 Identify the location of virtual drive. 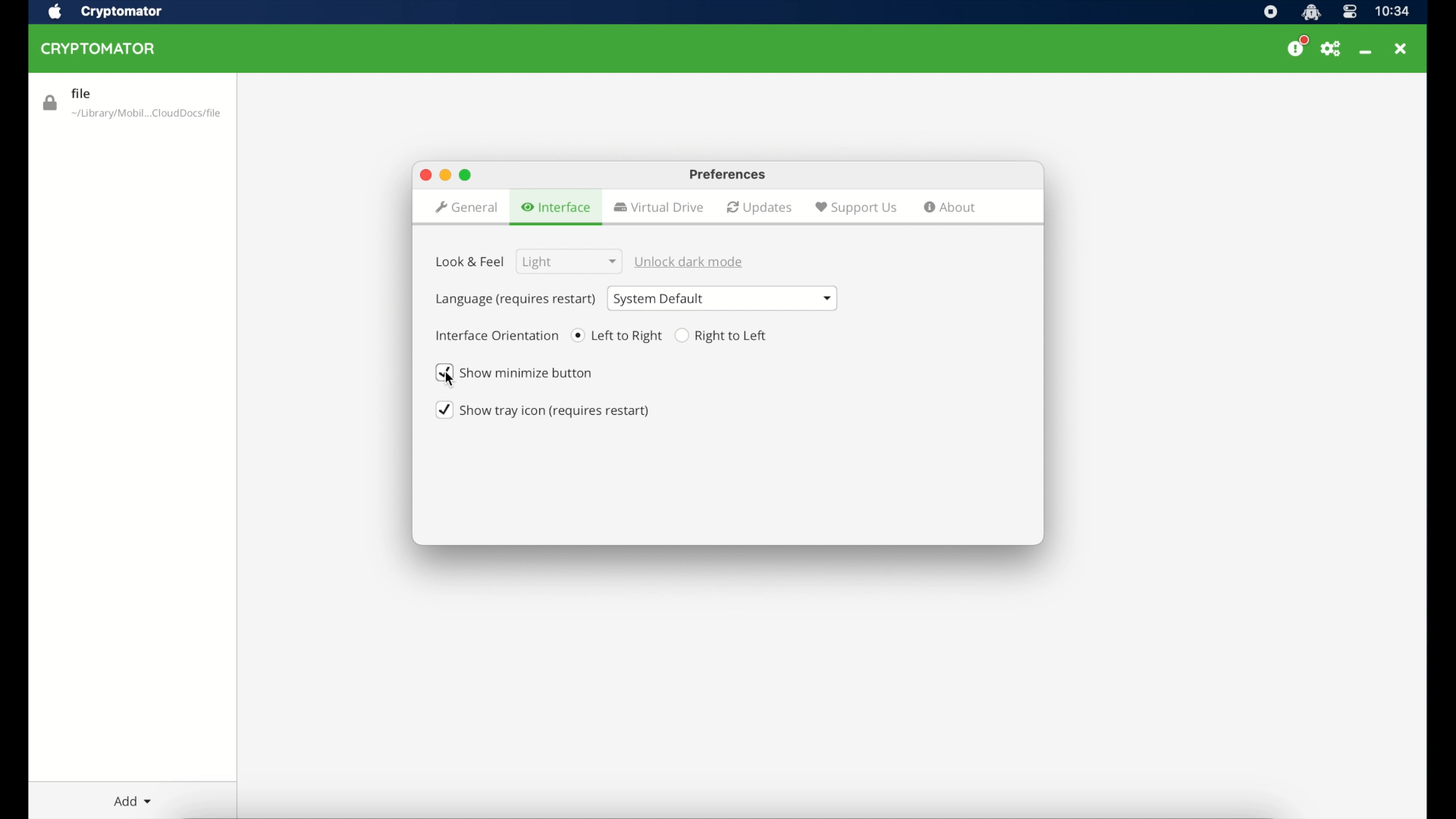
(658, 207).